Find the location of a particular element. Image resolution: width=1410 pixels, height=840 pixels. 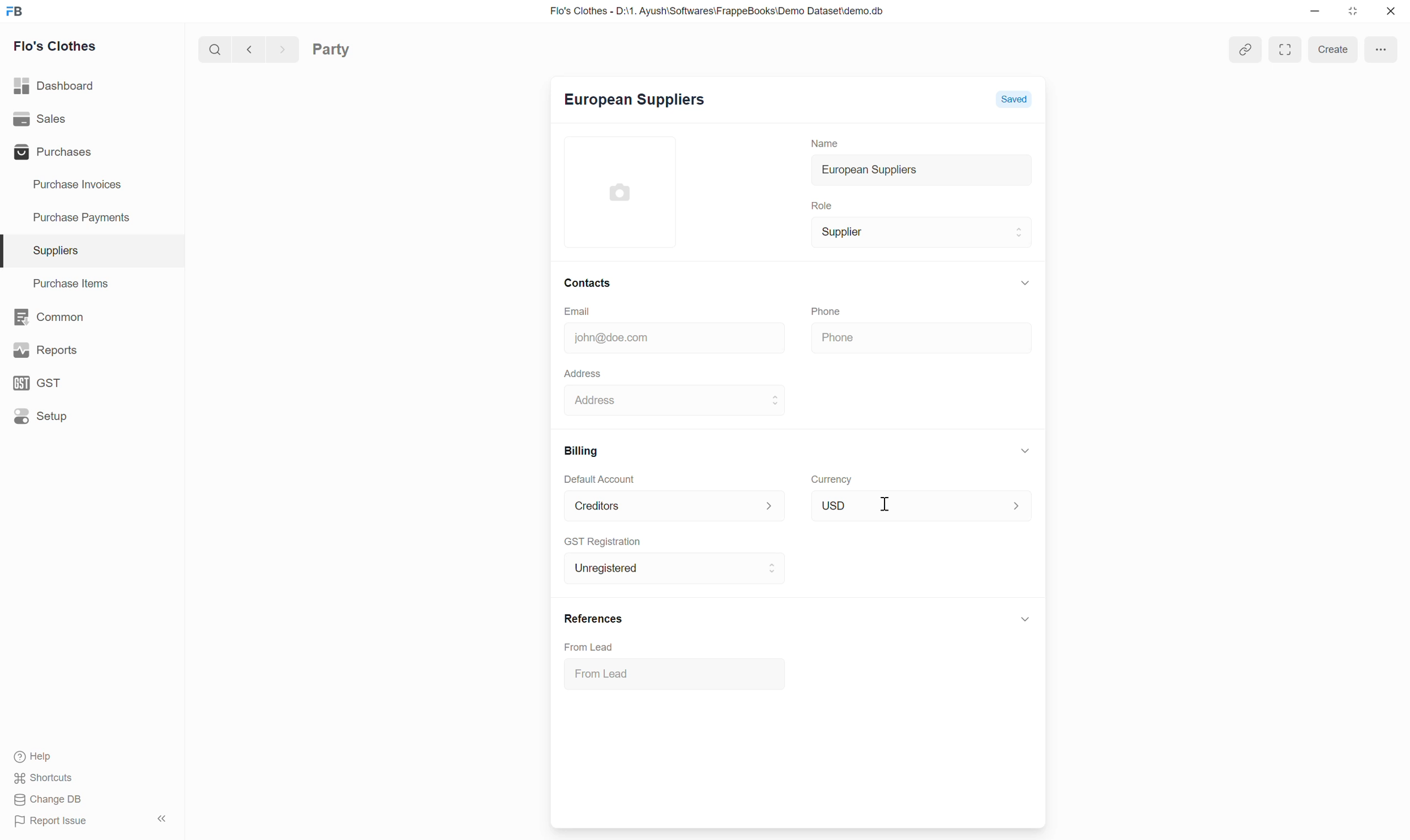

attach is located at coordinates (1246, 48).